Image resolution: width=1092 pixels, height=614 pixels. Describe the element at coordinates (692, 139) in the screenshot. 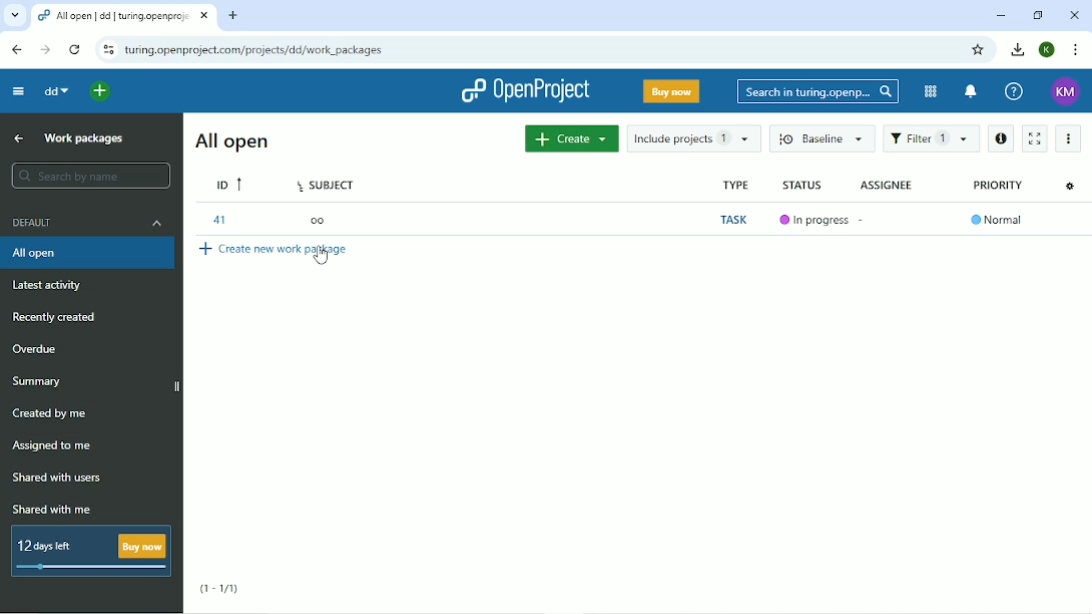

I see `Include projects 1` at that location.